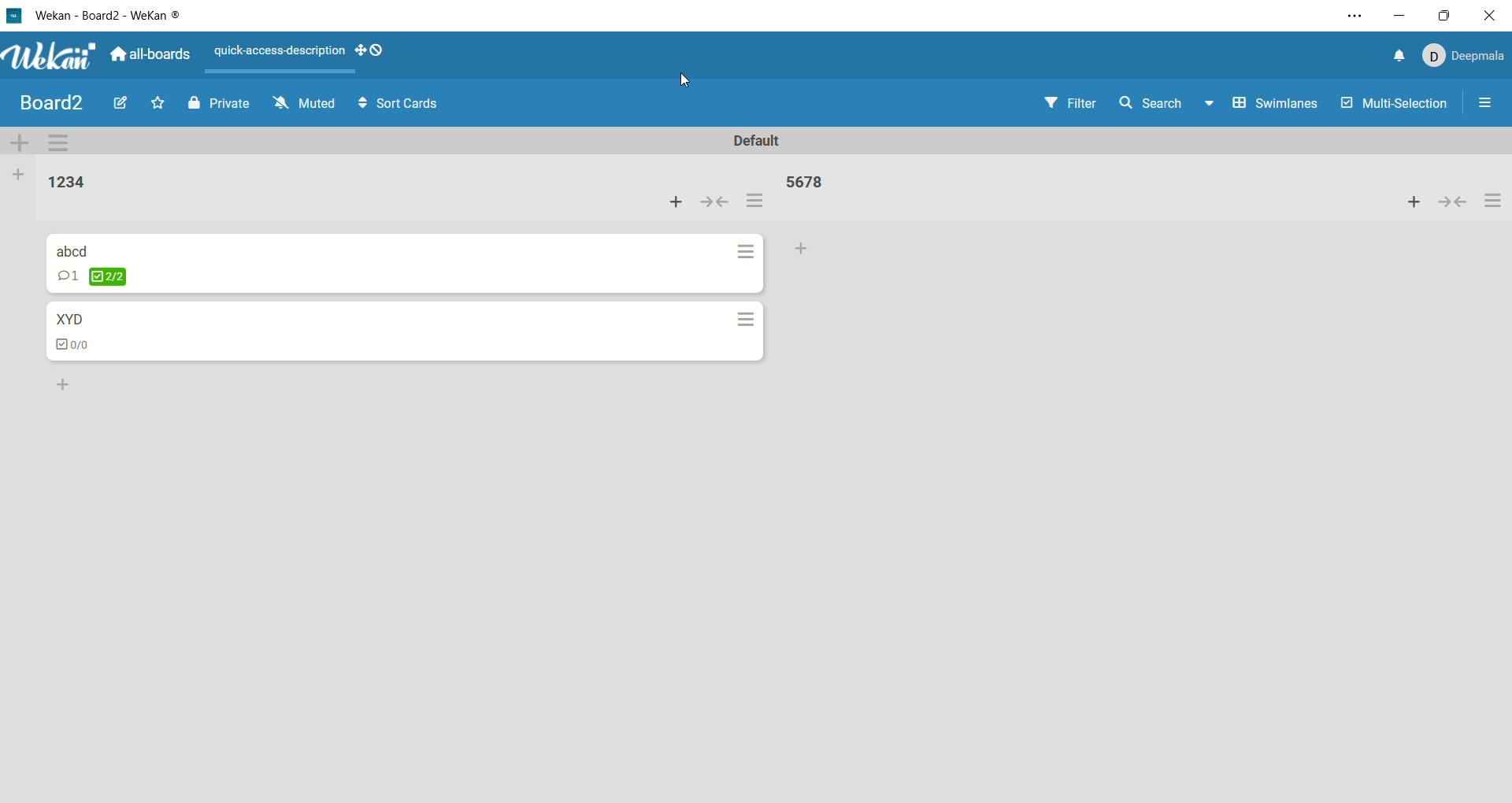 The image size is (1512, 803). I want to click on add, so click(57, 382).